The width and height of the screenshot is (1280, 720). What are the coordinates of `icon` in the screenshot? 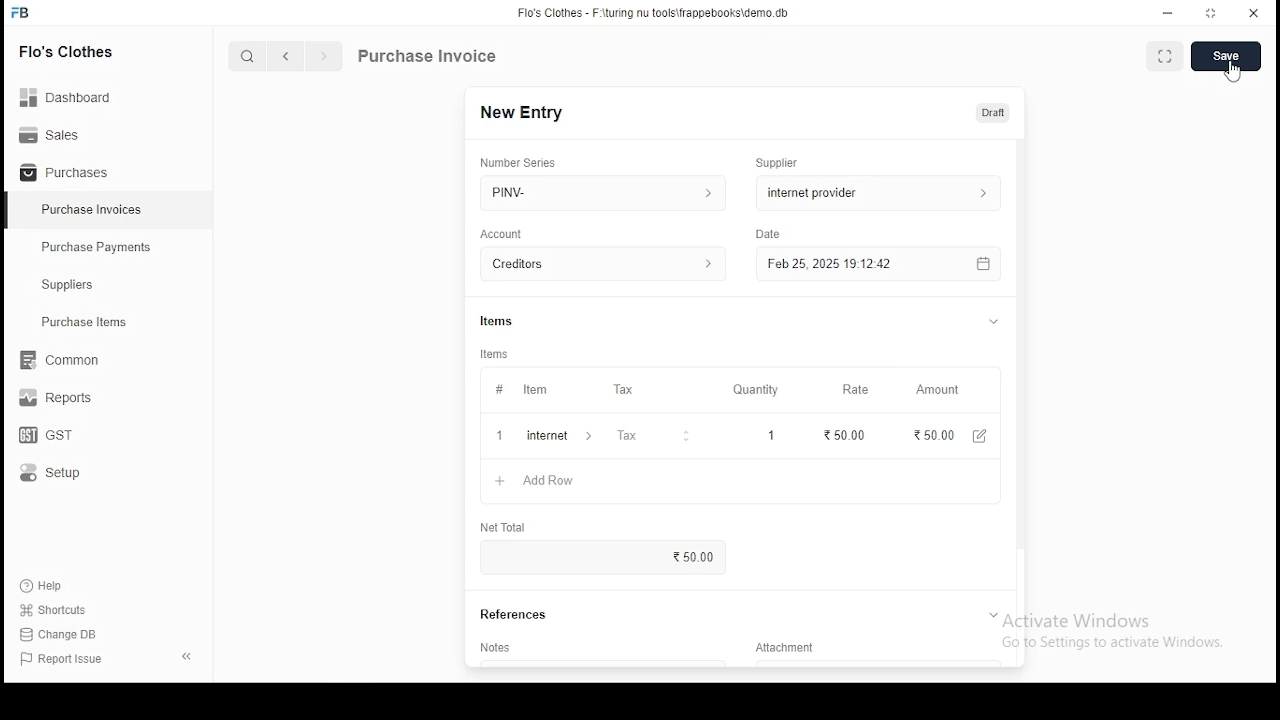 It's located at (21, 13).